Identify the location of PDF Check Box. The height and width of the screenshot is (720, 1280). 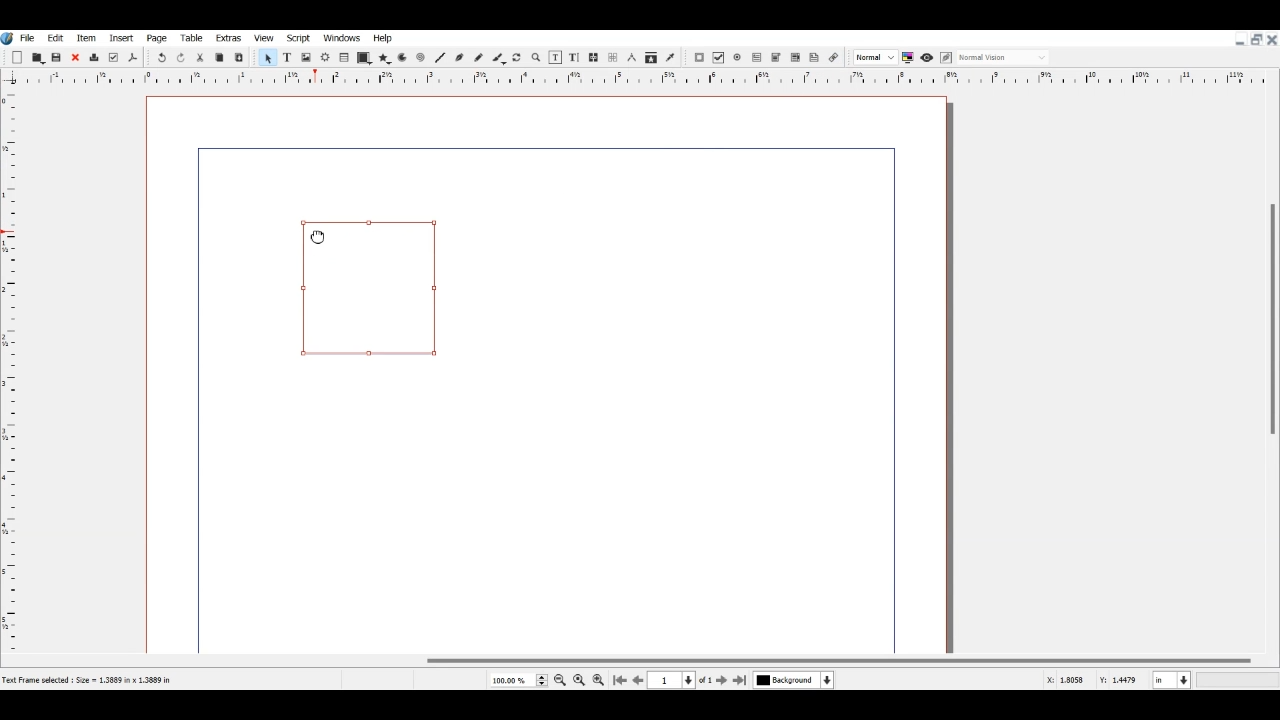
(719, 58).